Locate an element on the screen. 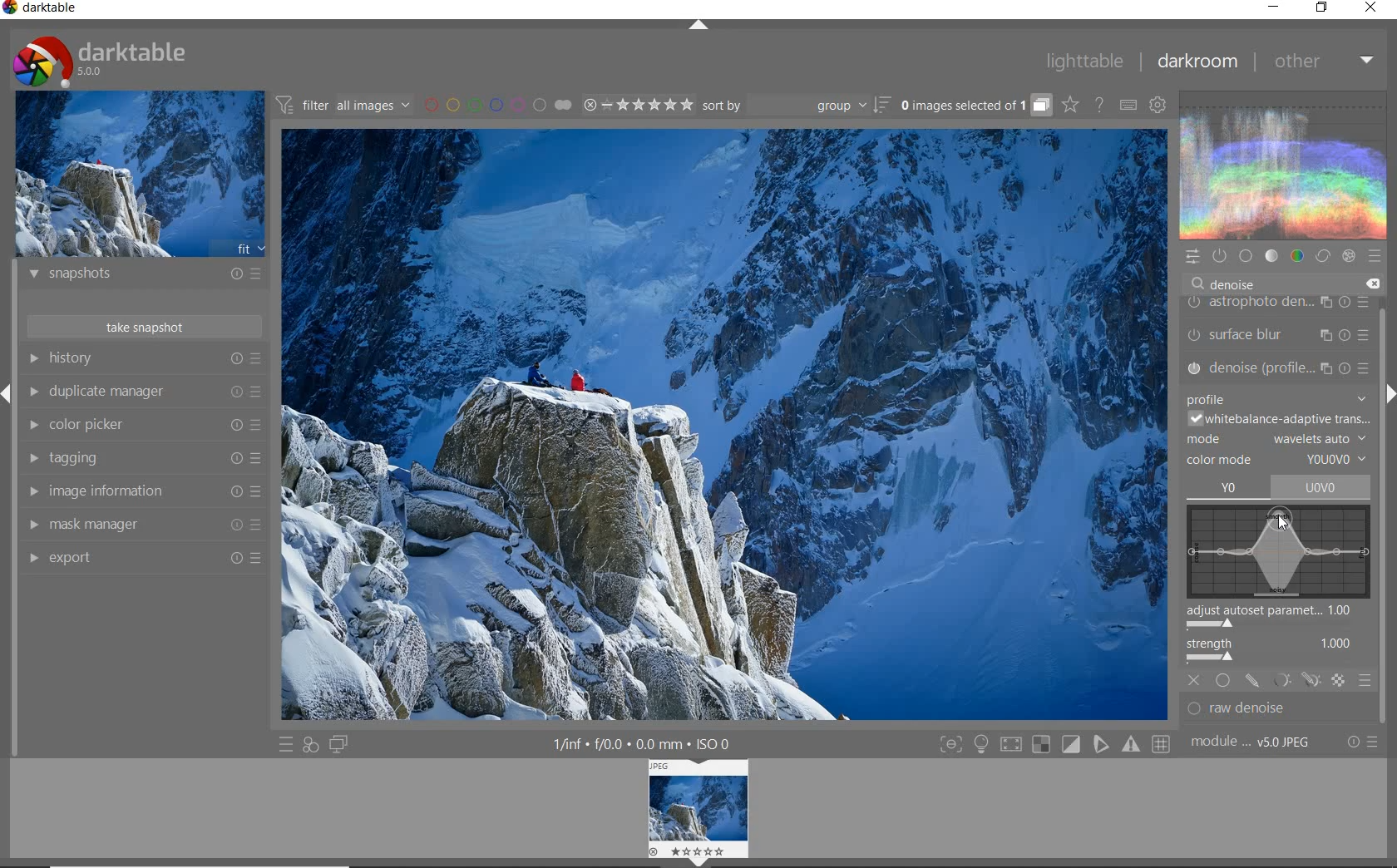  duplicate manager is located at coordinates (143, 392).